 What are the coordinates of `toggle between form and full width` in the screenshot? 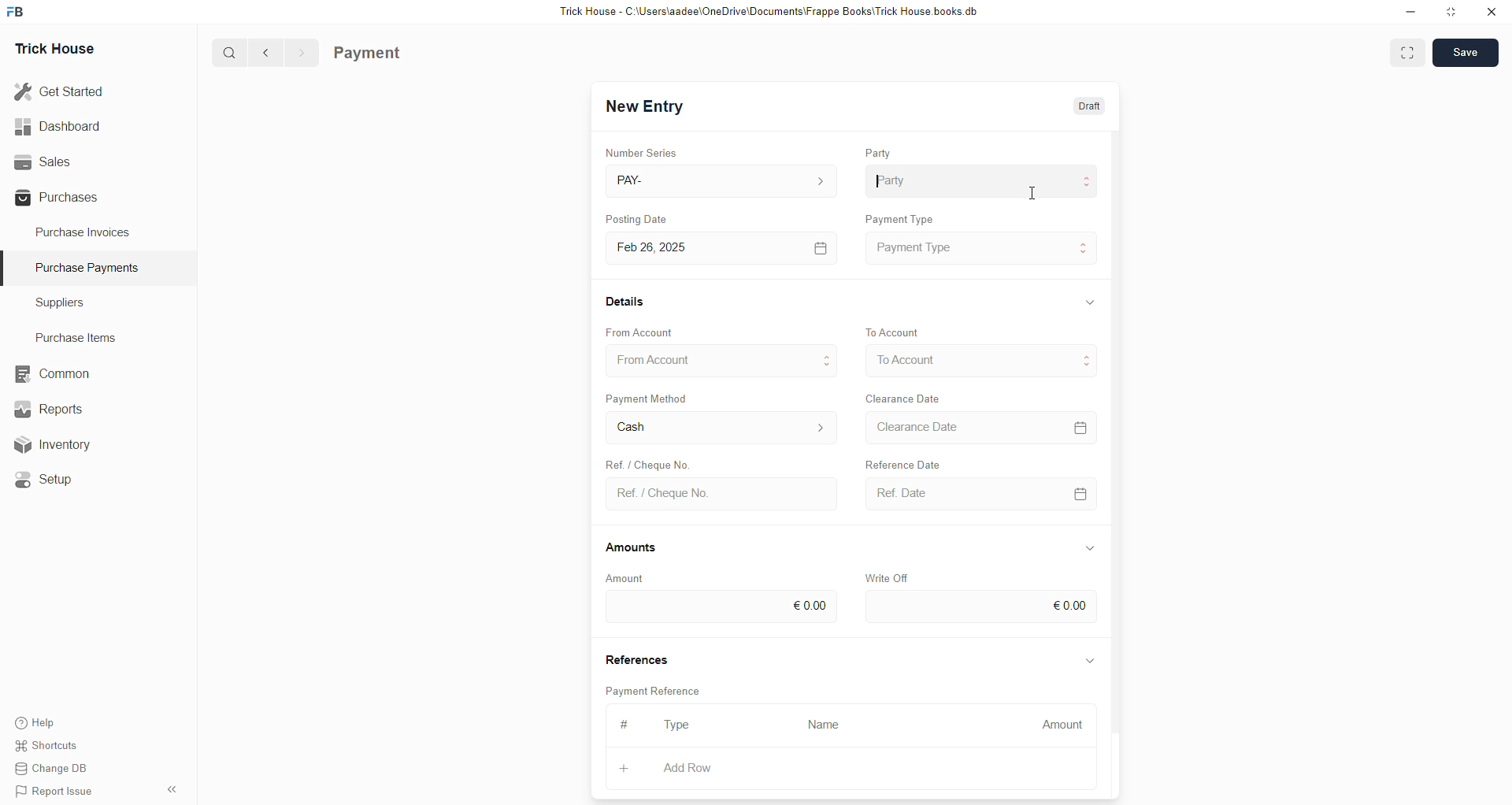 It's located at (1409, 54).